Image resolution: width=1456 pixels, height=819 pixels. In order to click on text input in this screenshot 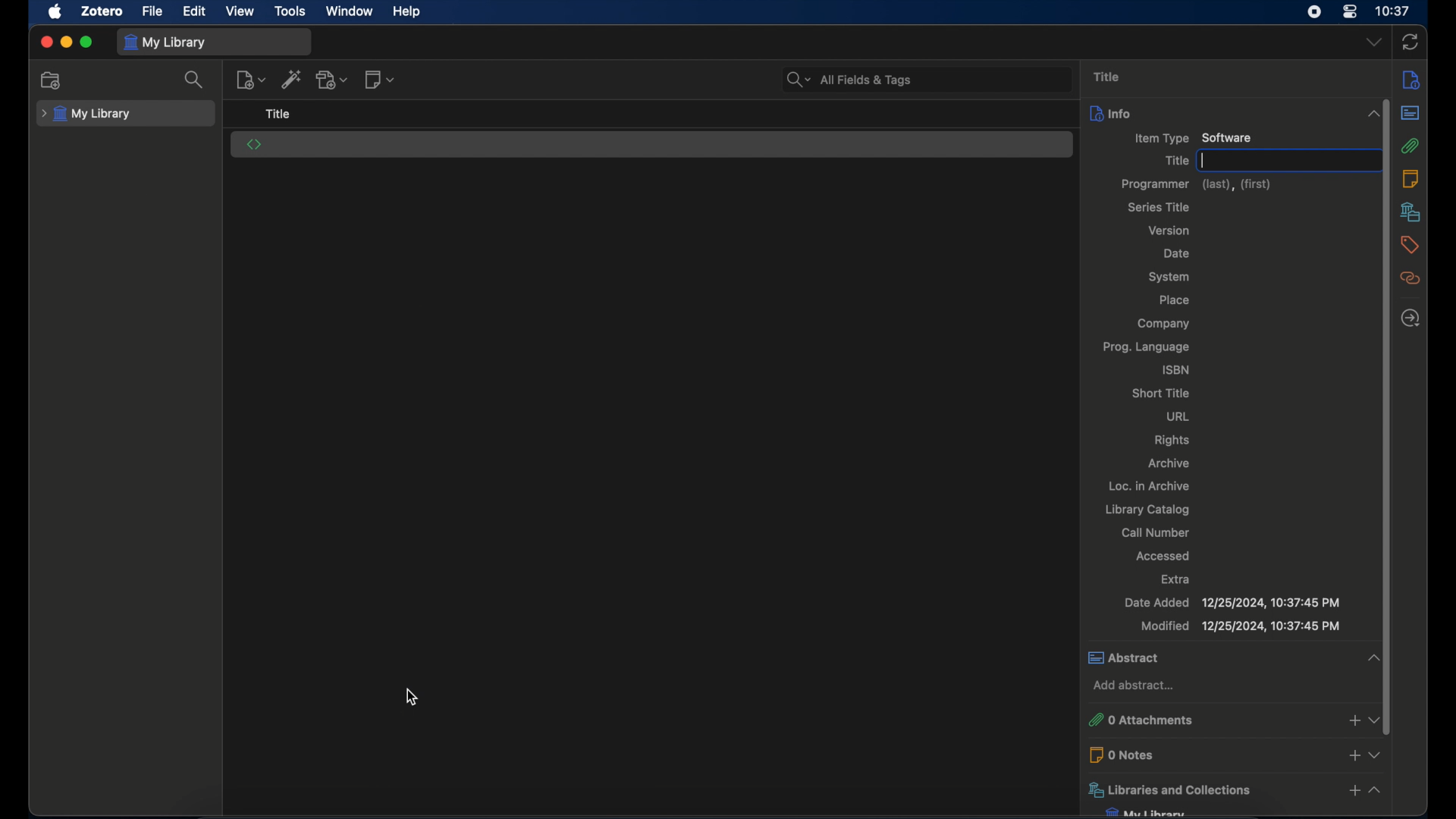, I will do `click(1285, 161)`.